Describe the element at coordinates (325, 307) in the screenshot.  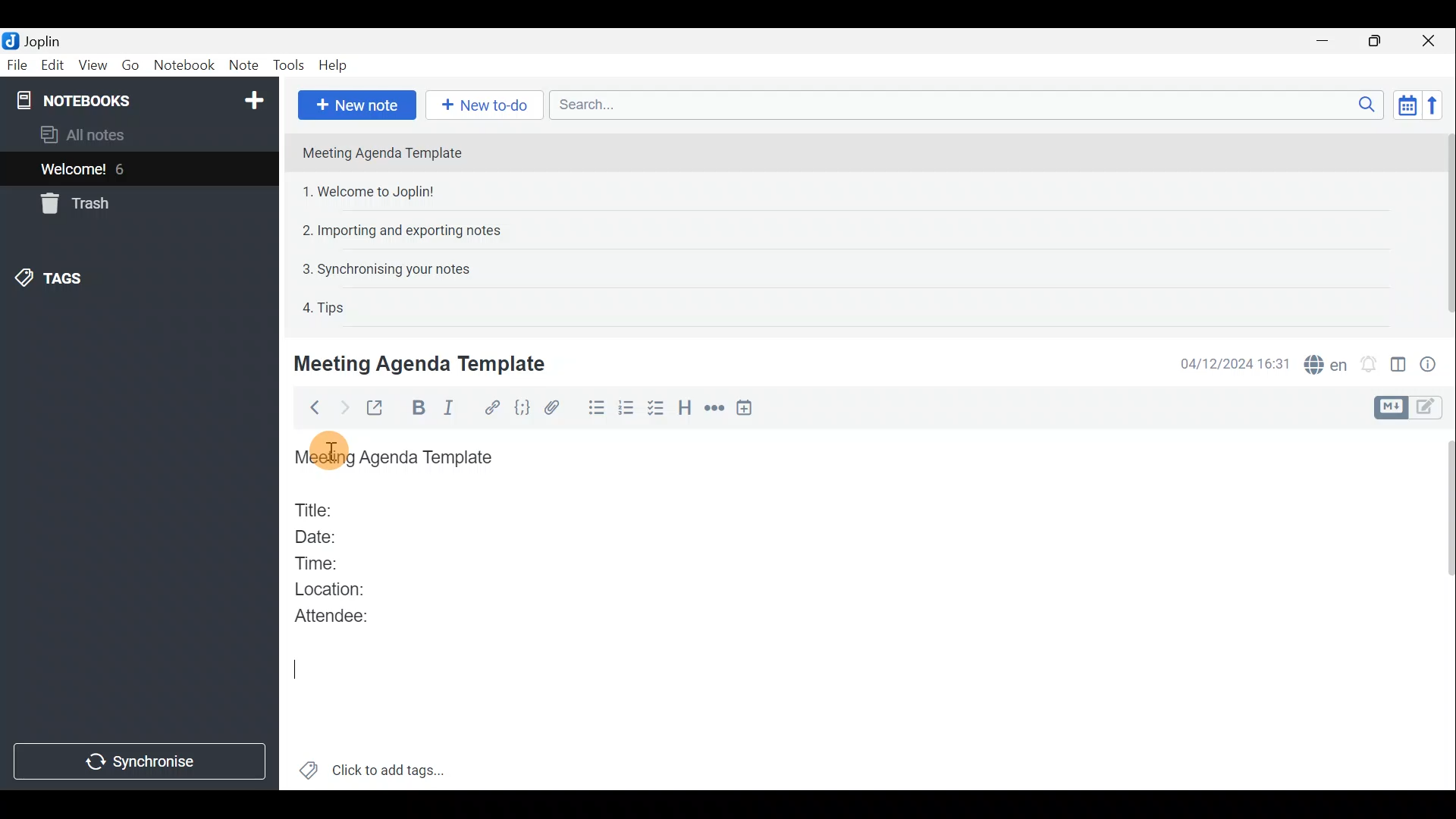
I see `4. Tips` at that location.